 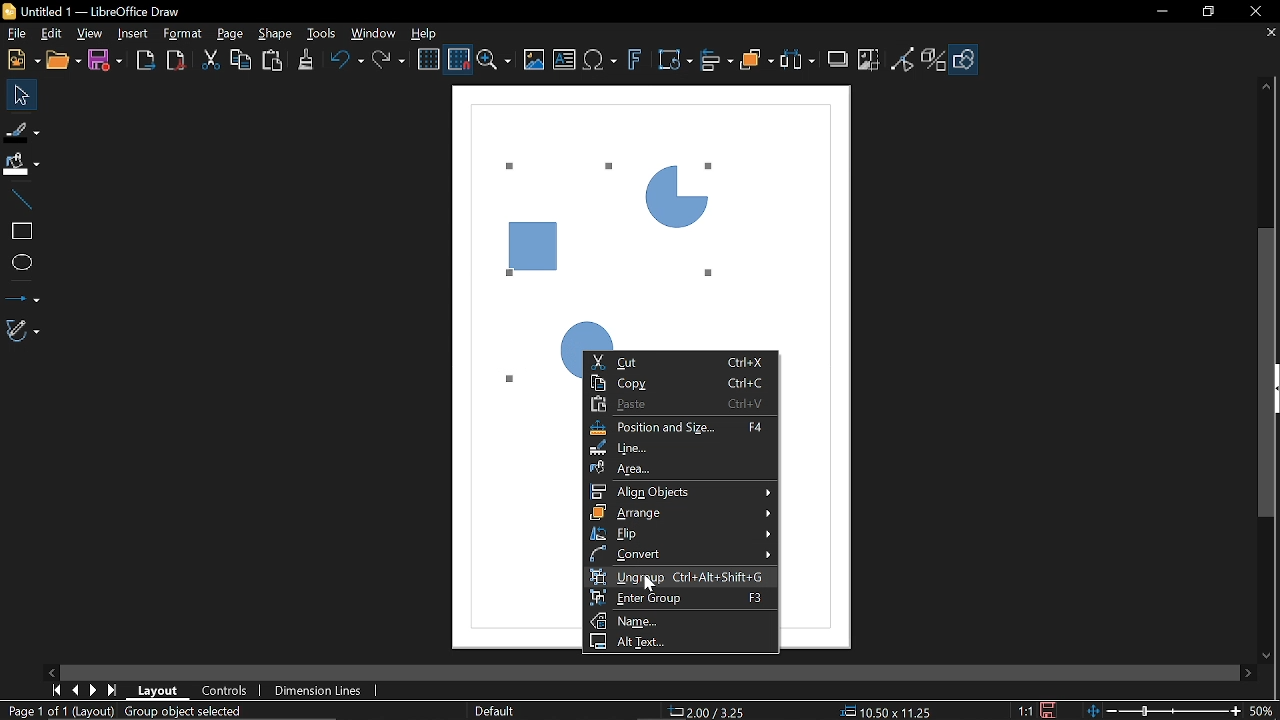 I want to click on Ungroup, so click(x=683, y=576).